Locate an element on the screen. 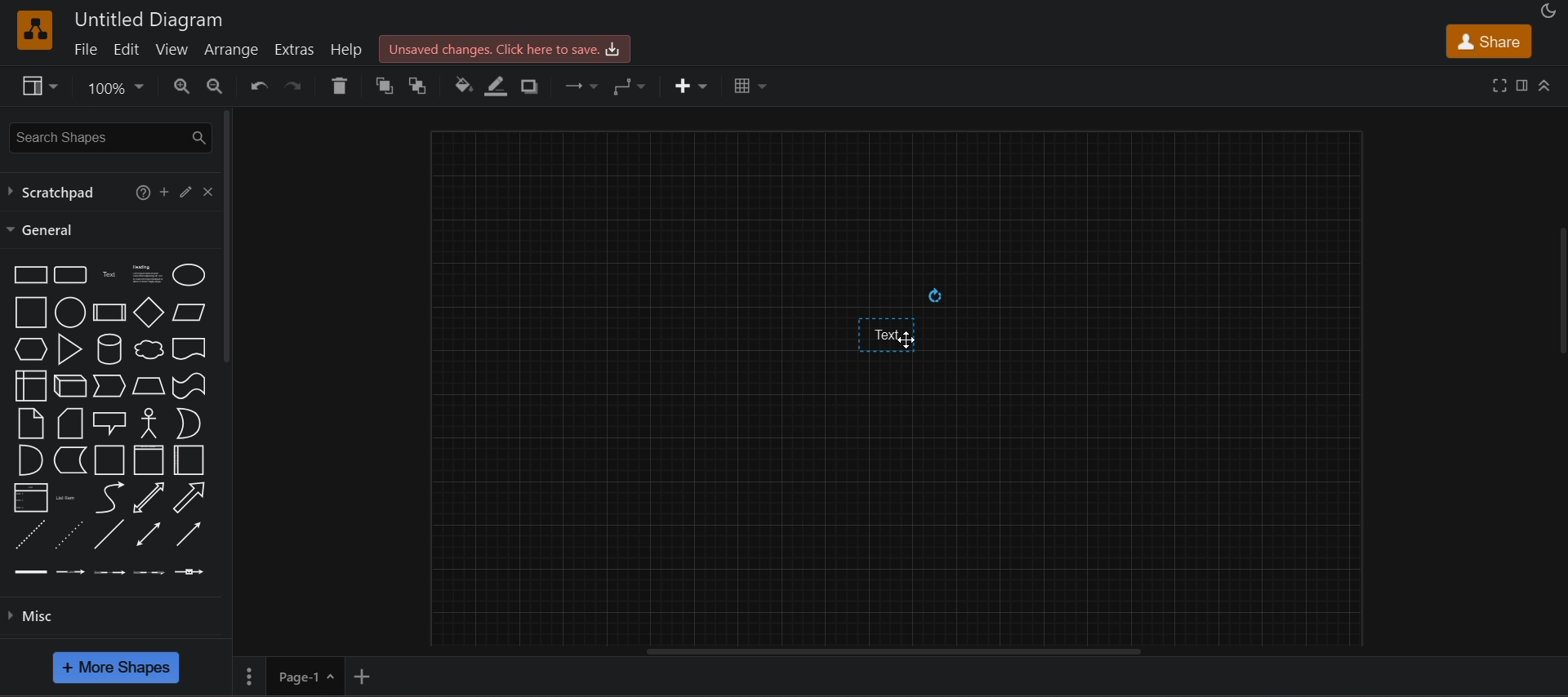 Image resolution: width=1568 pixels, height=697 pixels. List is located at coordinates (31, 498).